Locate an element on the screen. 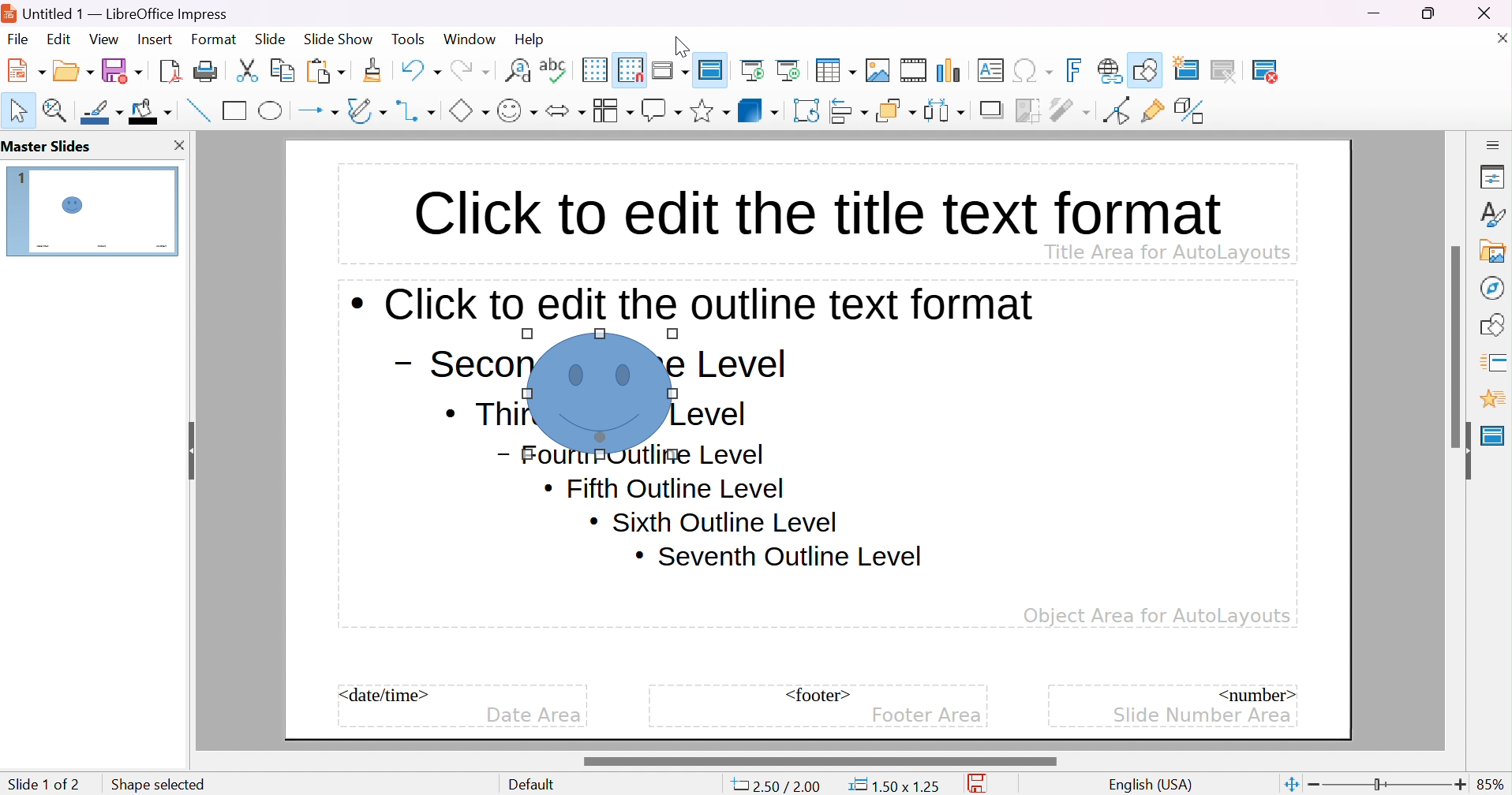 The width and height of the screenshot is (1512, 795). slide is located at coordinates (102, 212).